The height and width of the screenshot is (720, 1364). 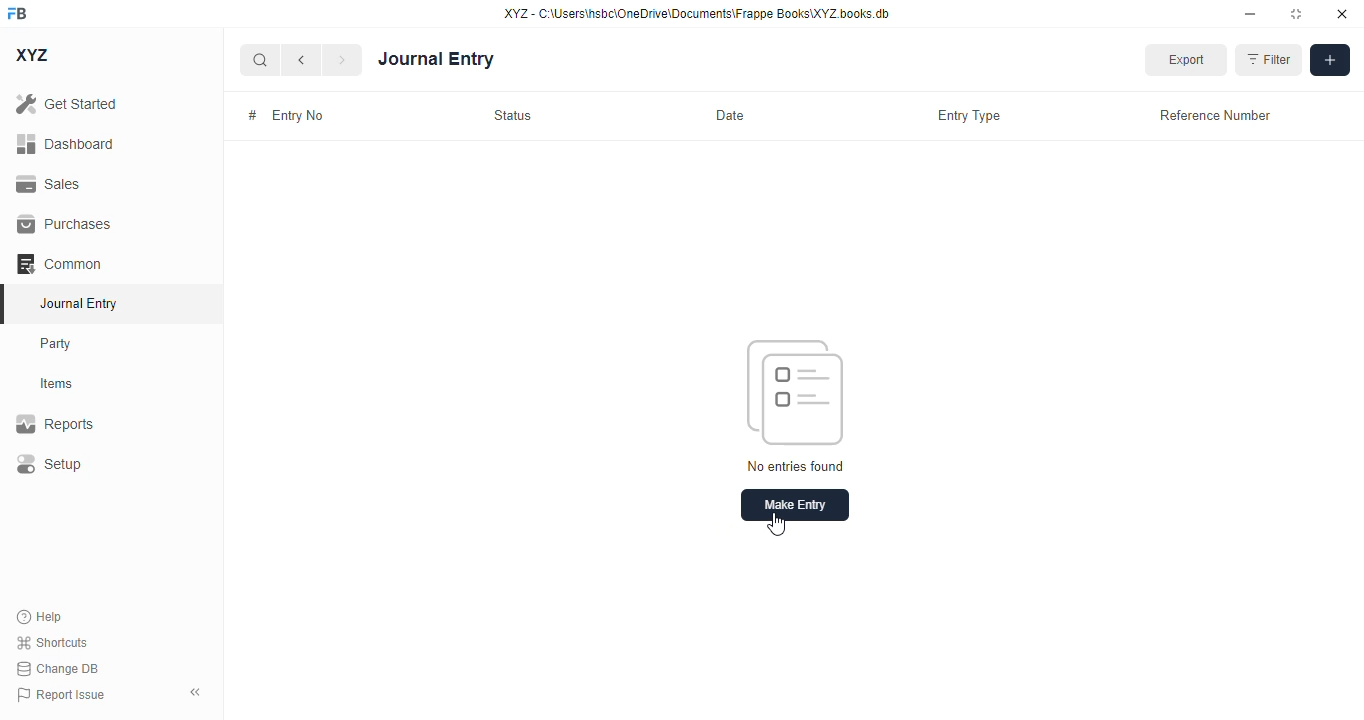 I want to click on minimize, so click(x=1251, y=14).